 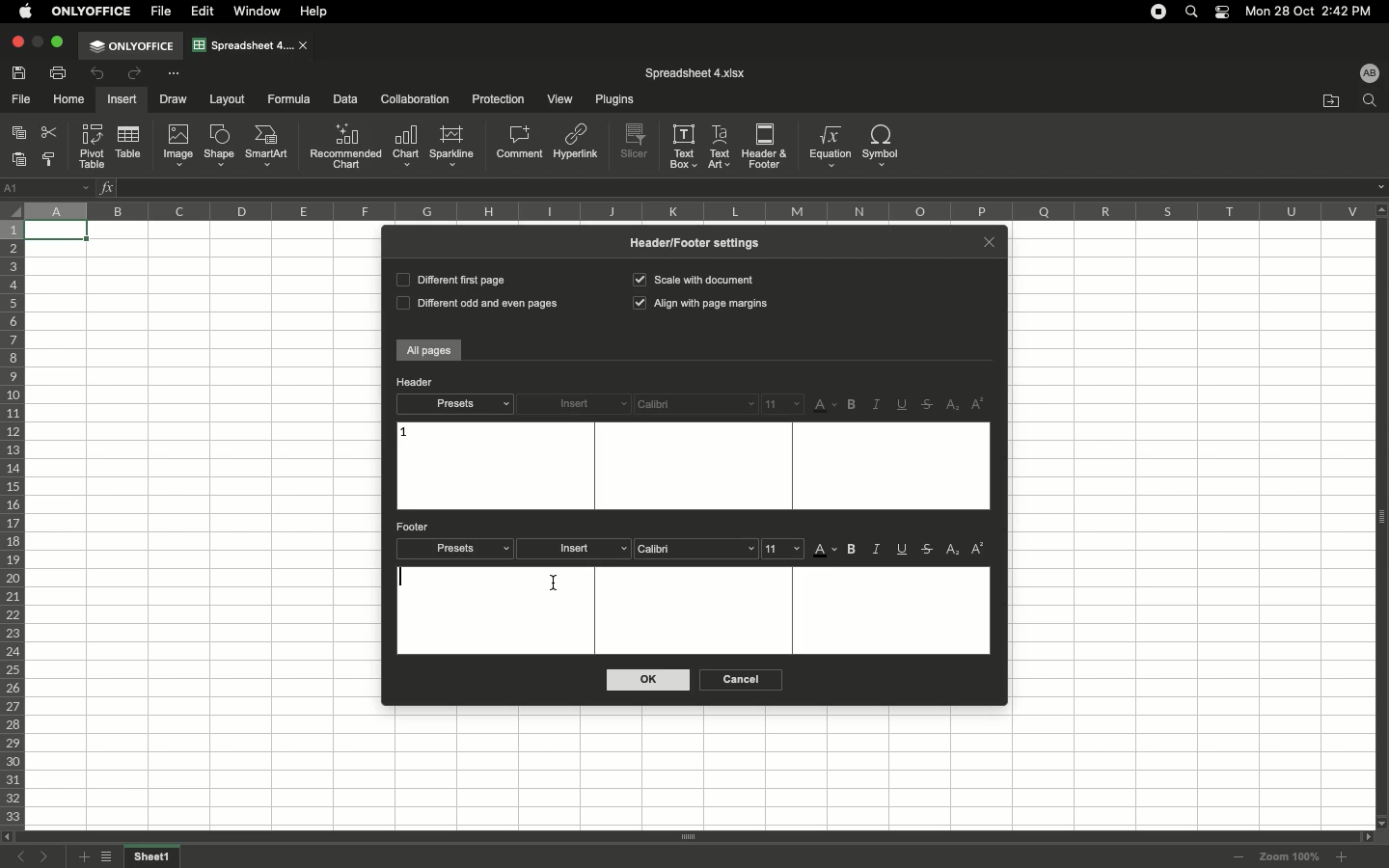 I want to click on Paste, so click(x=21, y=159).